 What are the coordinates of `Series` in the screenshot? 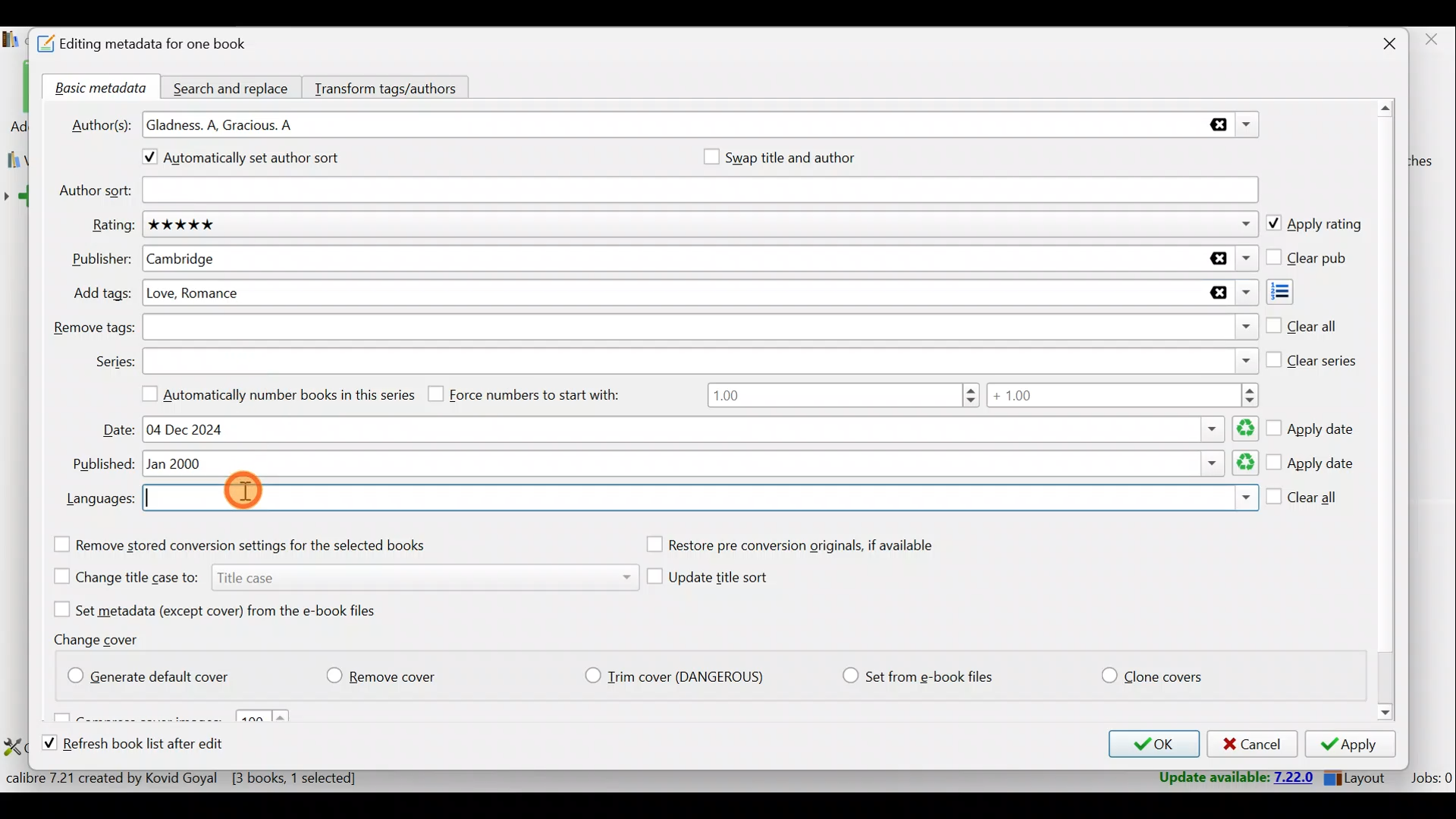 It's located at (701, 359).